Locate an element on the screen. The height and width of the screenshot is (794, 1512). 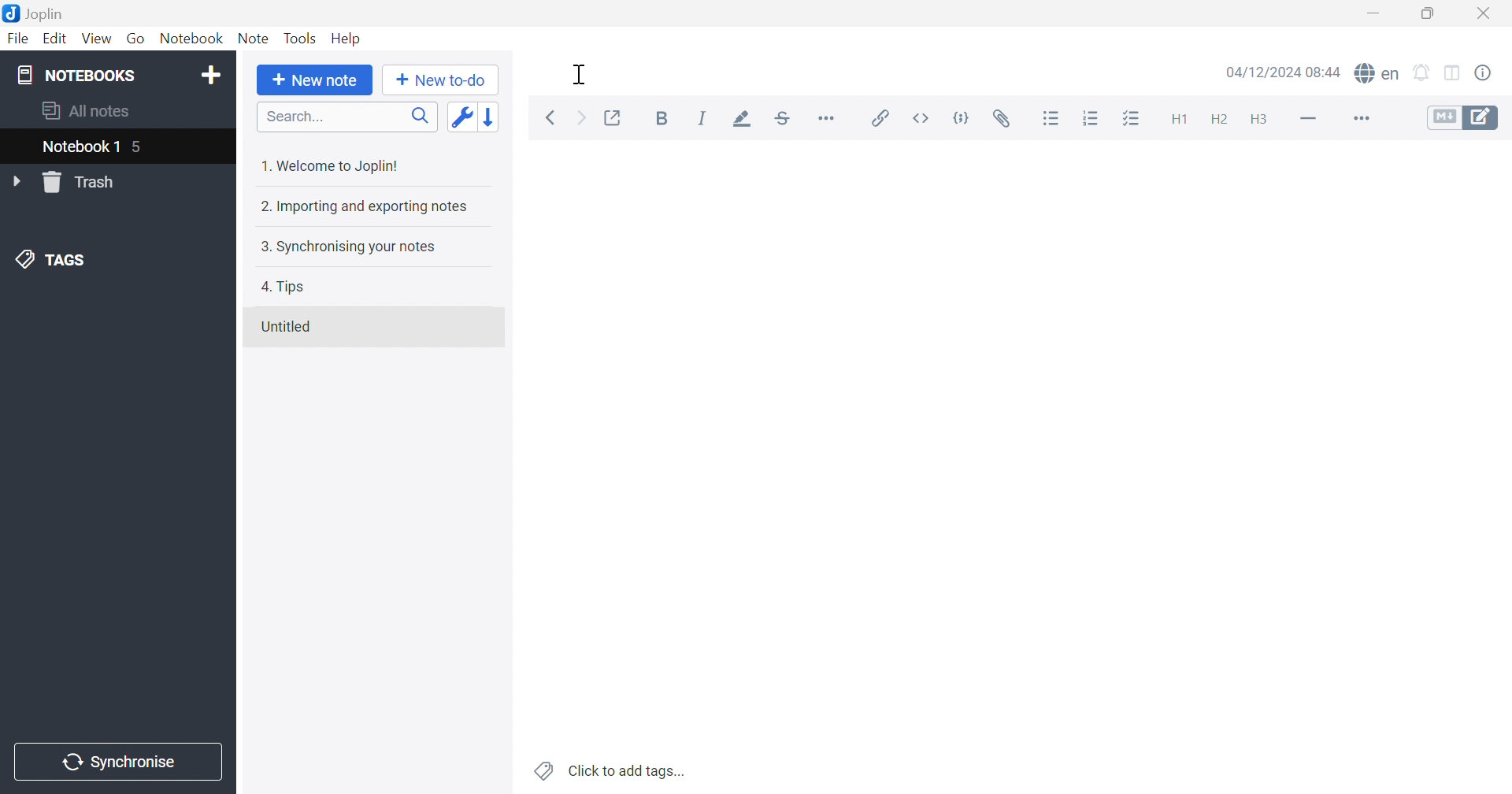
Notebook is located at coordinates (195, 38).